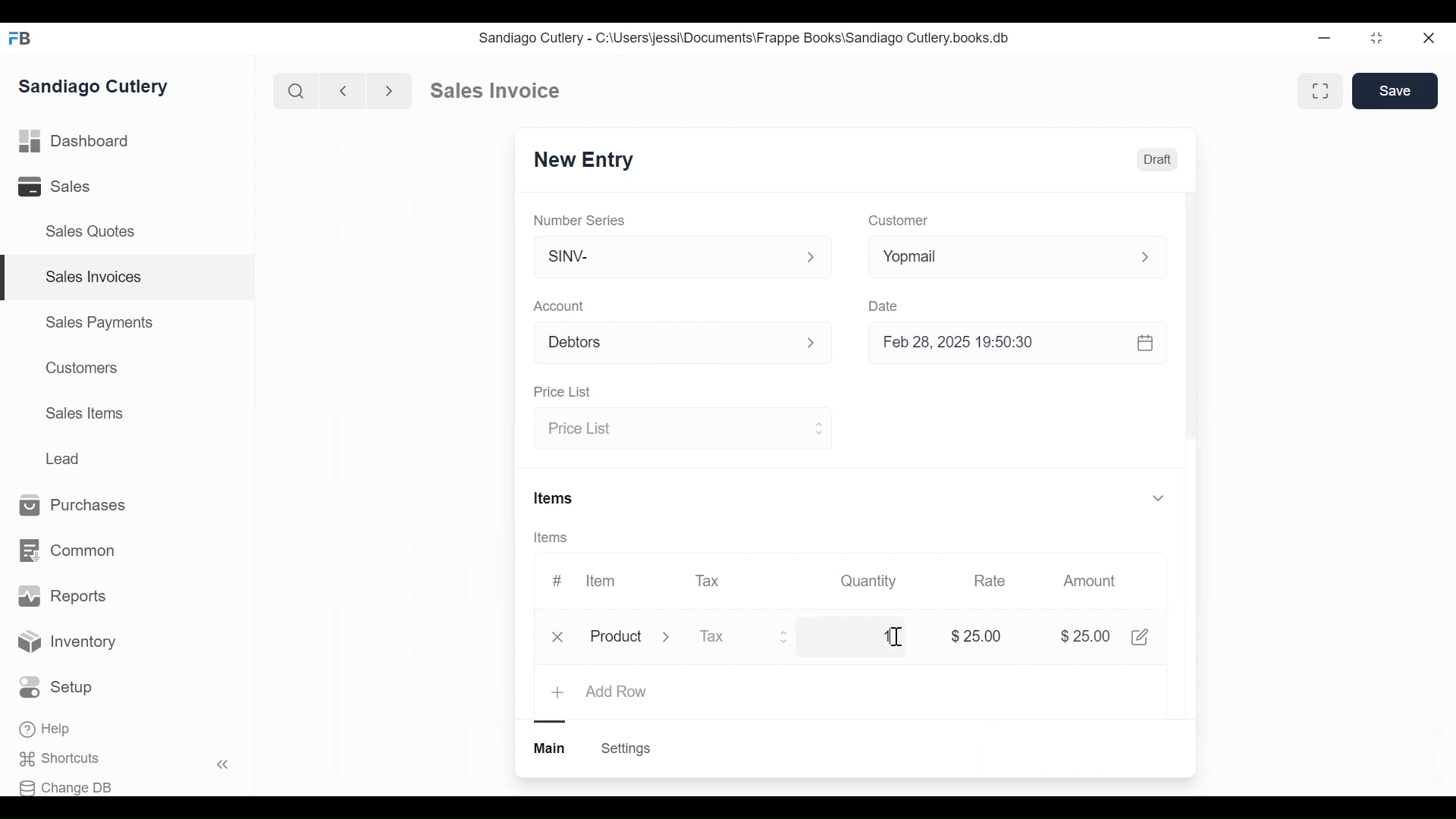  Describe the element at coordinates (390, 89) in the screenshot. I see `forward` at that location.